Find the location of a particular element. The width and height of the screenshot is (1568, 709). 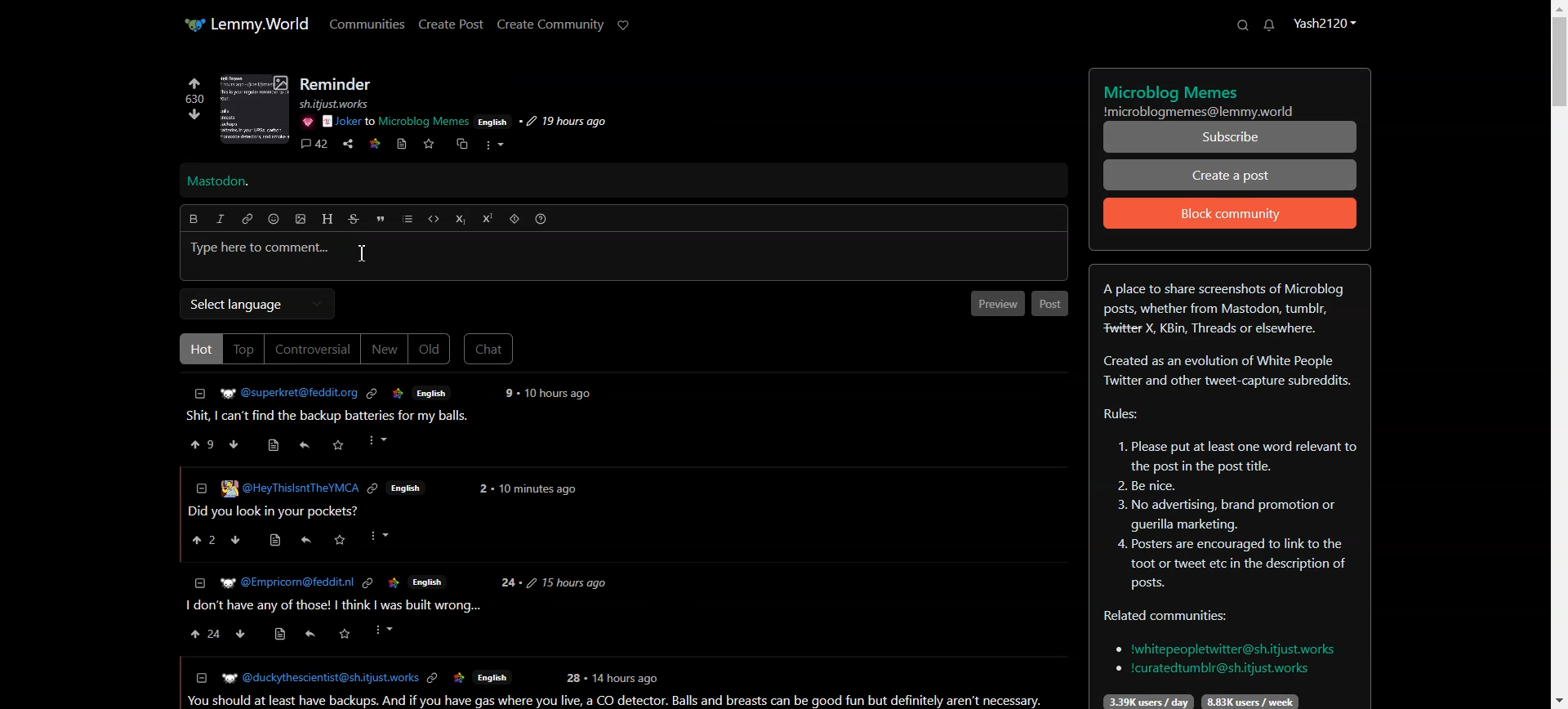

 is located at coordinates (285, 582).